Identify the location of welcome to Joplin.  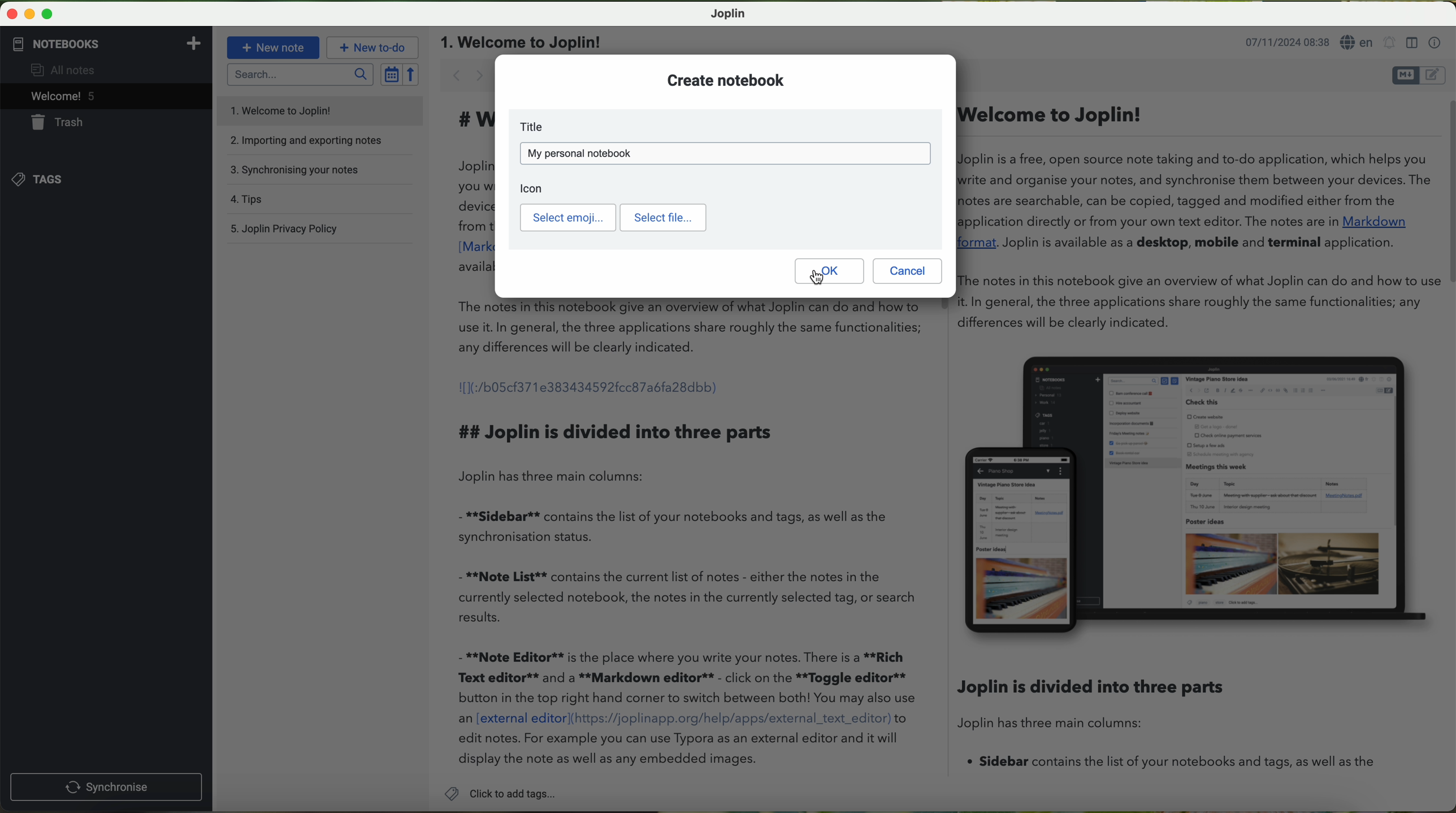
(282, 110).